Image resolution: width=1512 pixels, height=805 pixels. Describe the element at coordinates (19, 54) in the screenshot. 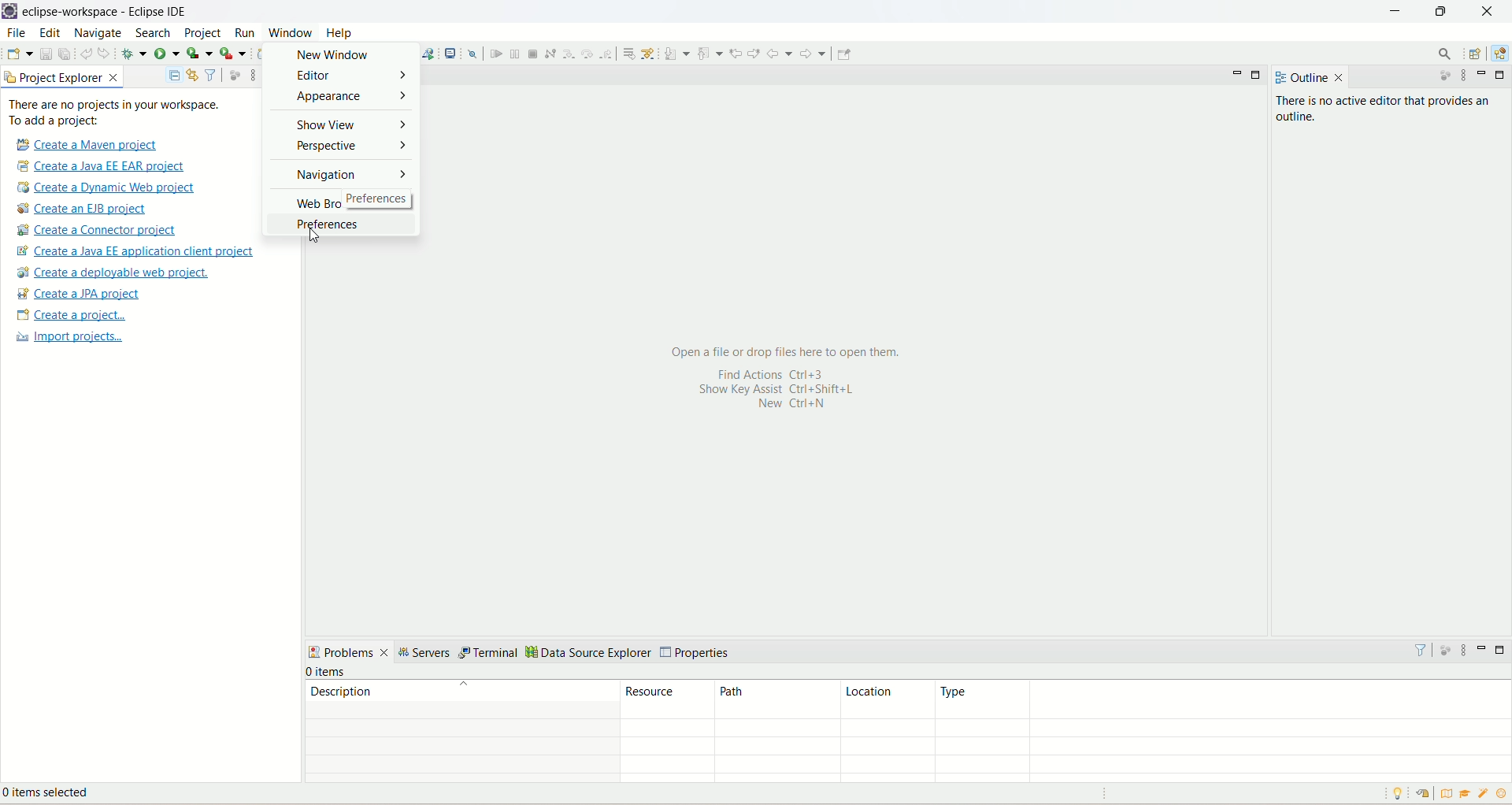

I see `new` at that location.